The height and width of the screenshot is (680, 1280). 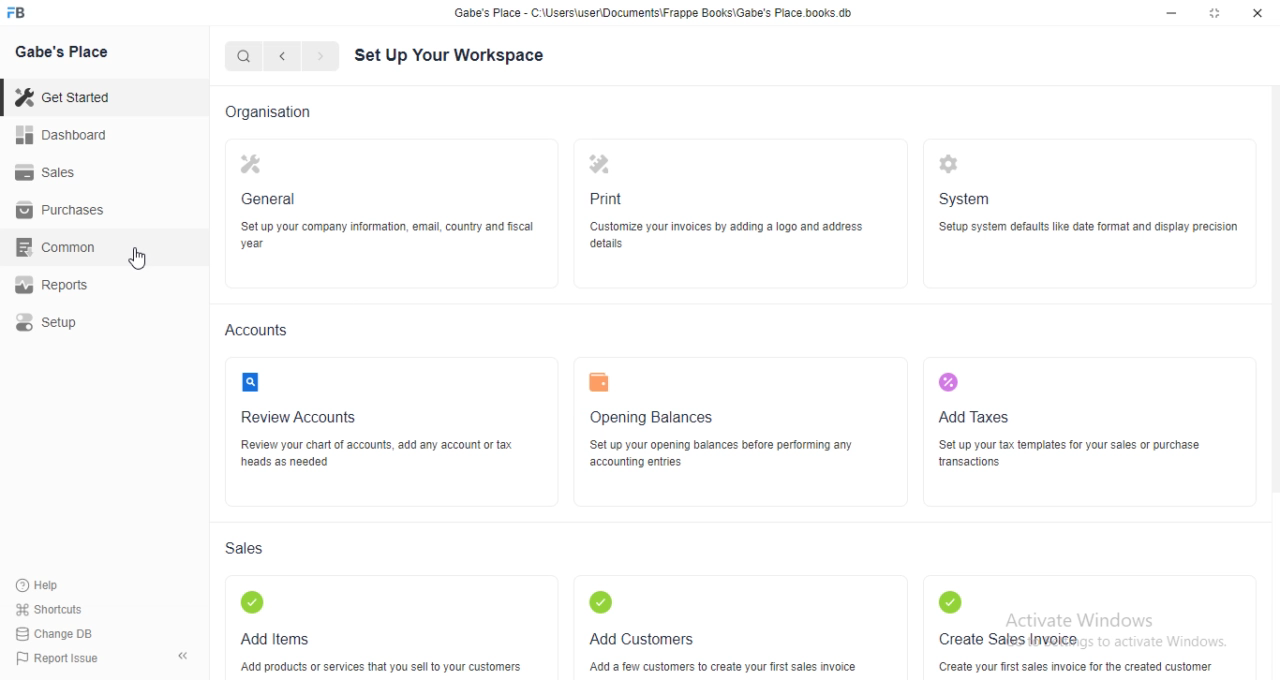 What do you see at coordinates (381, 455) in the screenshot?
I see `Review your chart of accounts, add any account or tax heads as needed` at bounding box center [381, 455].